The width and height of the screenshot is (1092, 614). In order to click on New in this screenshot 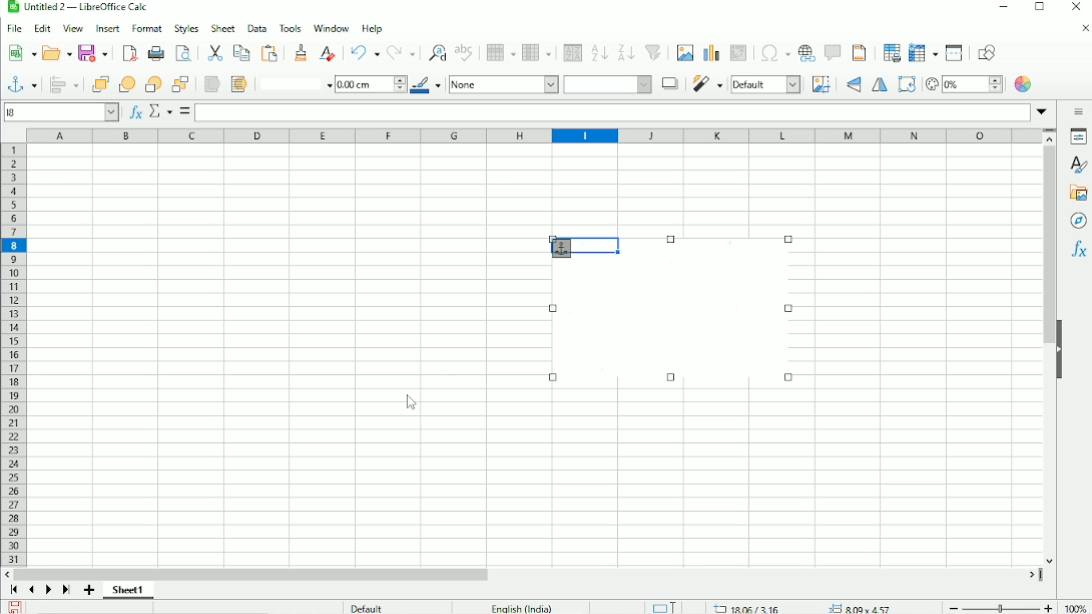, I will do `click(19, 54)`.